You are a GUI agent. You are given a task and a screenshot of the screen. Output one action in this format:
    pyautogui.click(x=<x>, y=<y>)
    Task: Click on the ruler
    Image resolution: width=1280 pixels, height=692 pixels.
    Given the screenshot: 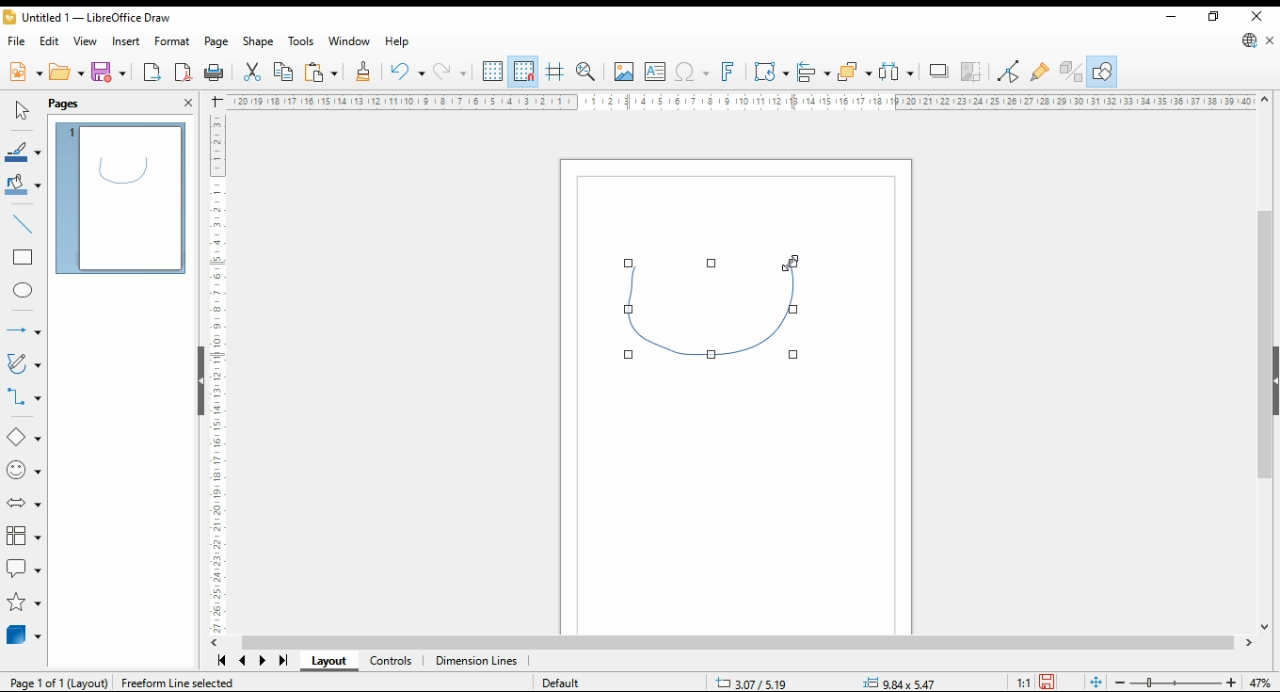 What is the action you would take?
    pyautogui.click(x=214, y=373)
    